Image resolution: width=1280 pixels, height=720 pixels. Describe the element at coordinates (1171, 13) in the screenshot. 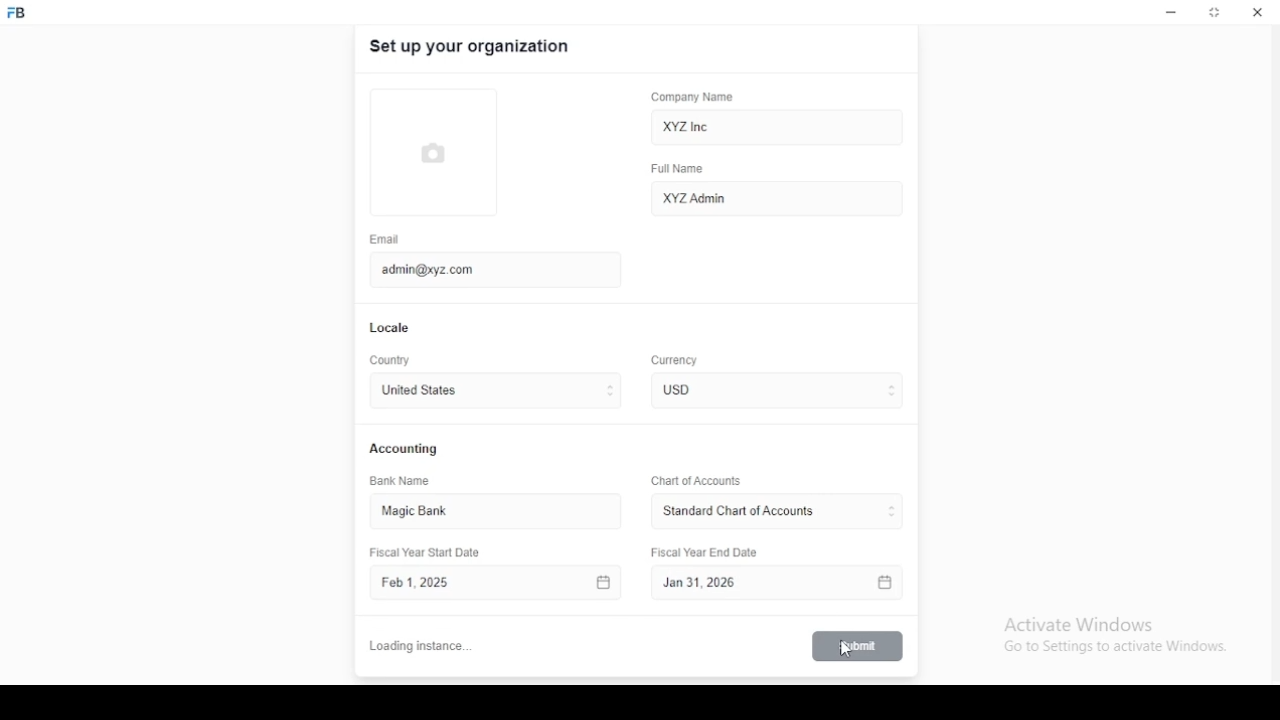

I see `minimize` at that location.